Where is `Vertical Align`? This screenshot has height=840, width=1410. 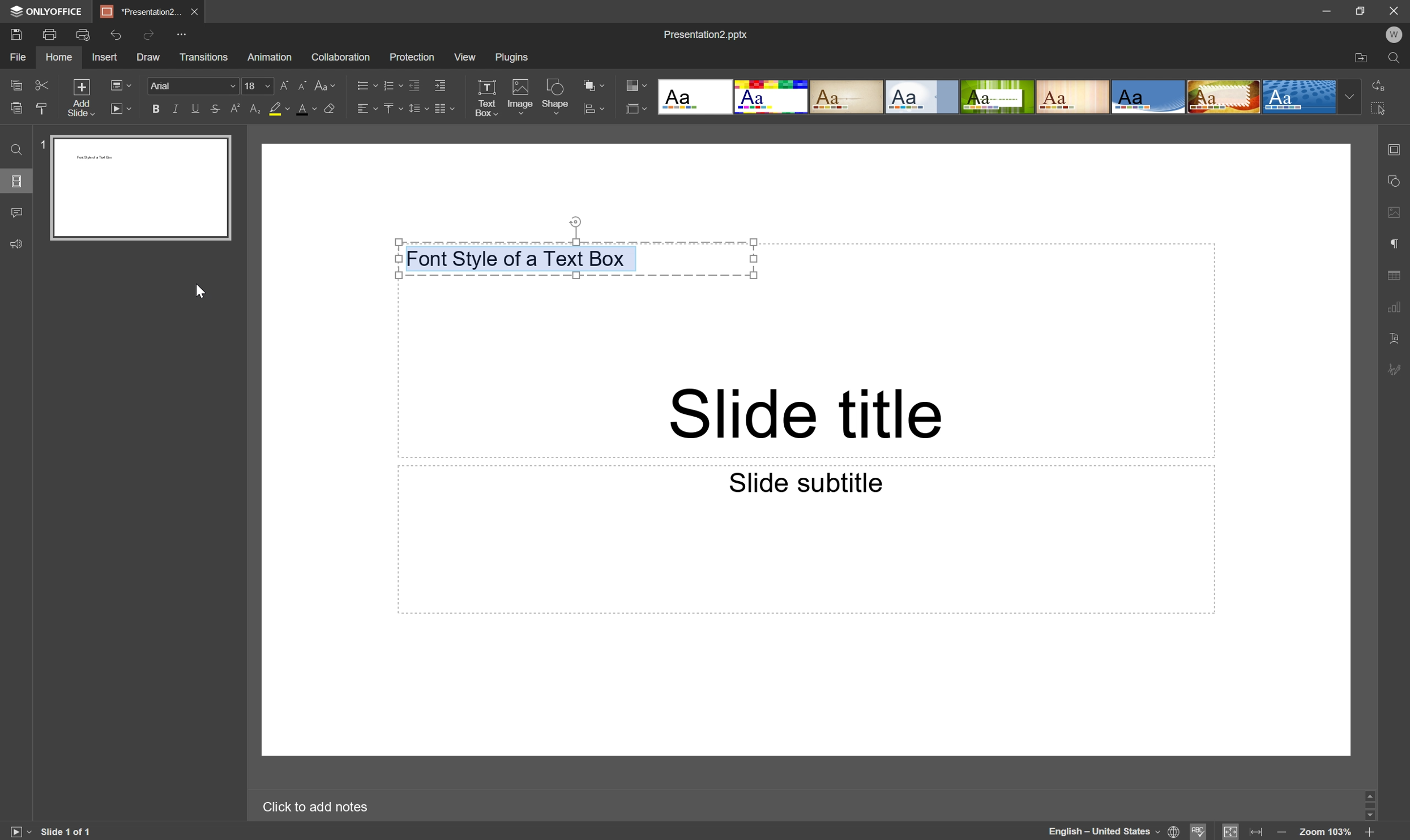
Vertical Align is located at coordinates (392, 107).